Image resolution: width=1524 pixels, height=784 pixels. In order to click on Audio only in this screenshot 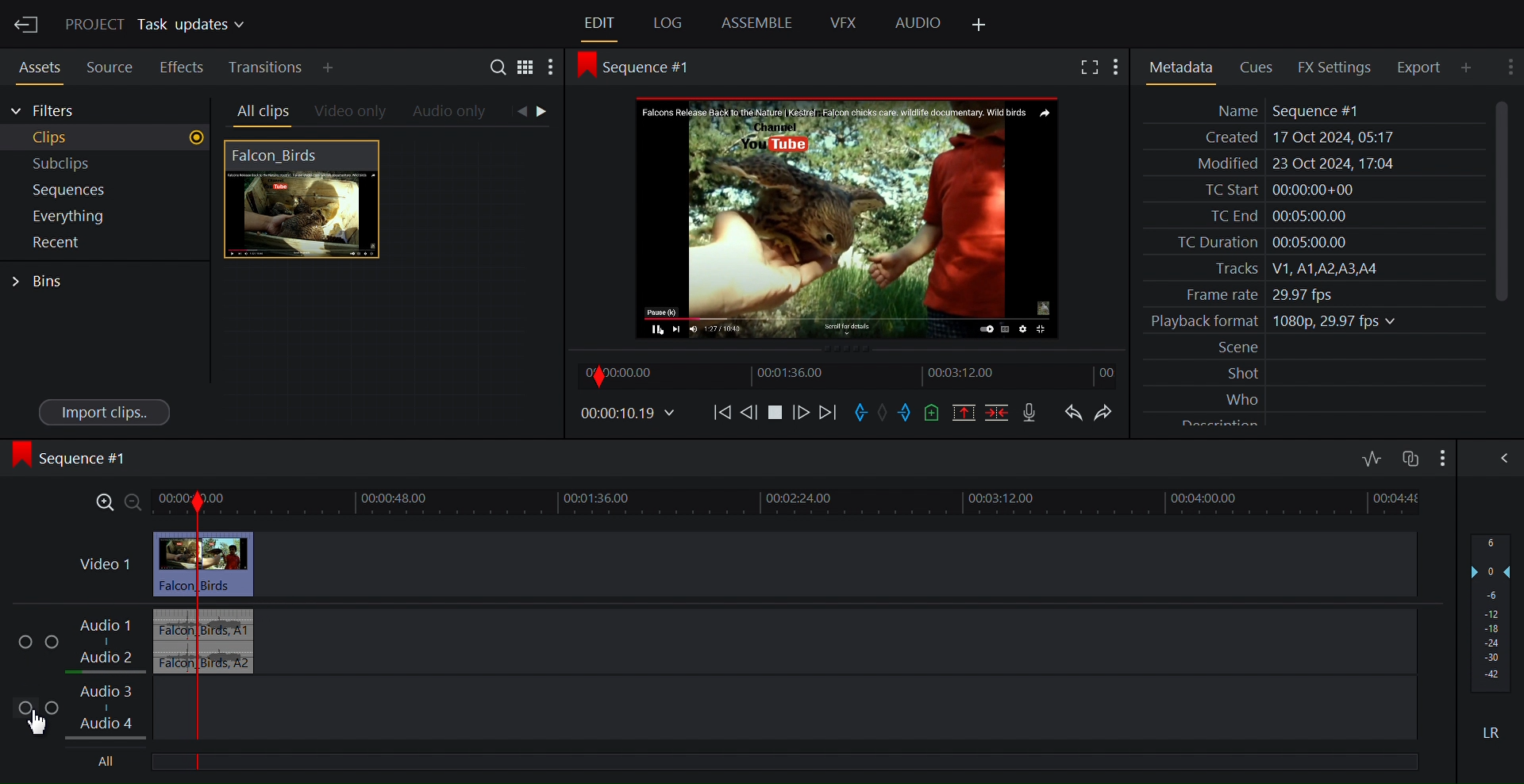, I will do `click(451, 113)`.